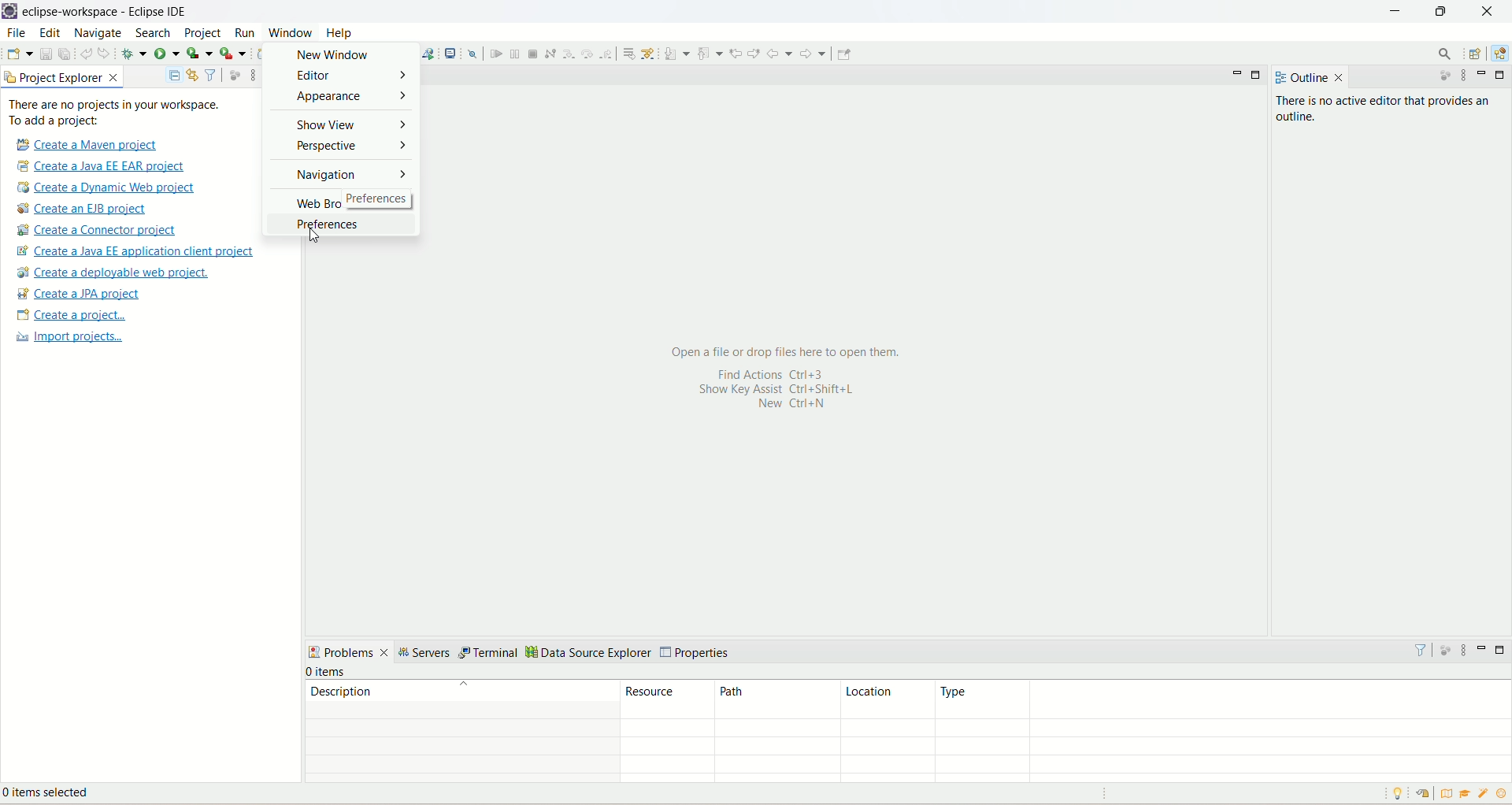 The image size is (1512, 805). Describe the element at coordinates (343, 99) in the screenshot. I see `appearance` at that location.